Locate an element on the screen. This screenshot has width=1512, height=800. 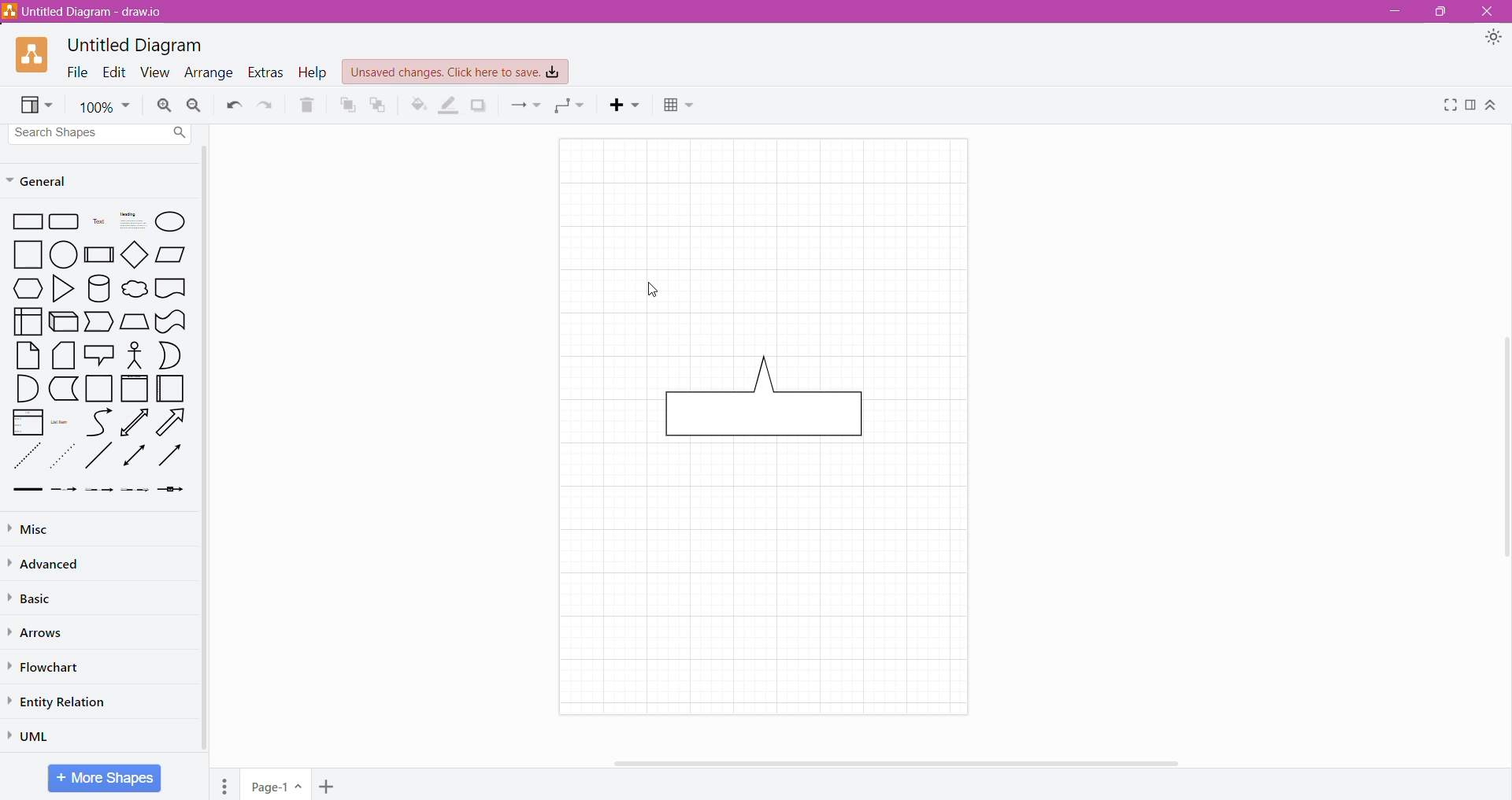
Upward Arrow is located at coordinates (135, 422).